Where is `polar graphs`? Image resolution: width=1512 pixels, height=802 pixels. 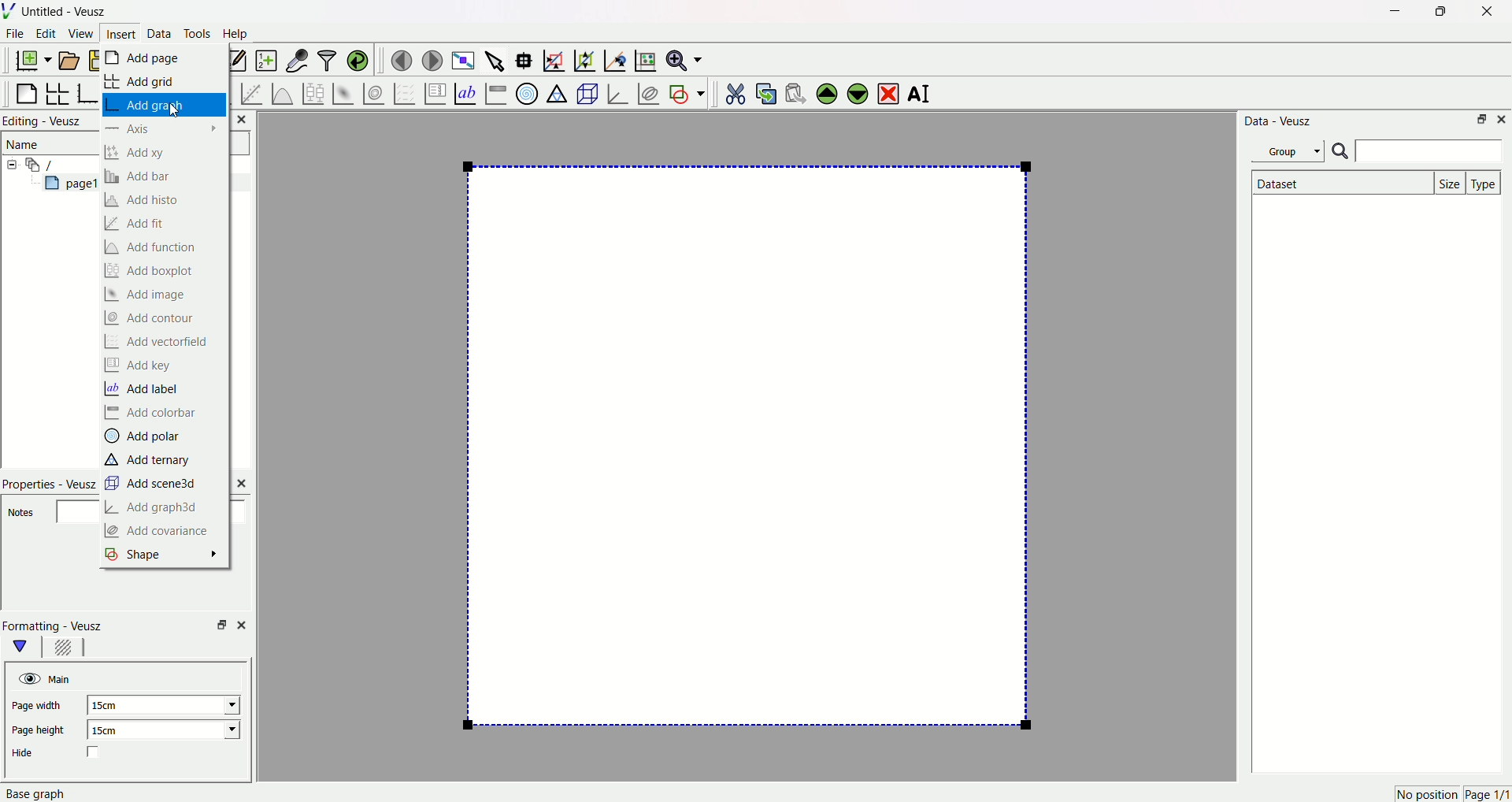
polar graphs is located at coordinates (527, 91).